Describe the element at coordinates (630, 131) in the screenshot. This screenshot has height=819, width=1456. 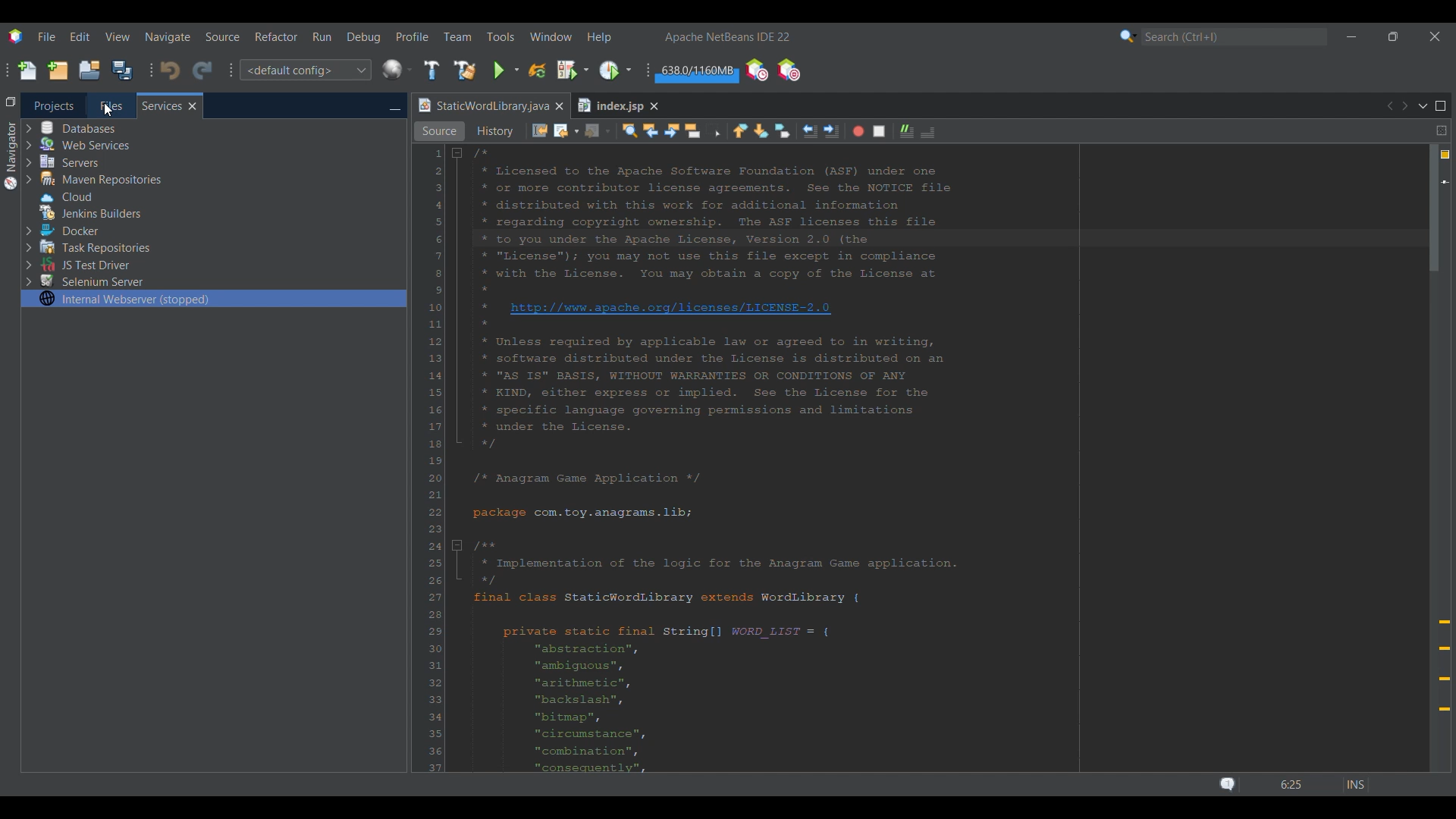
I see `Find selection` at that location.